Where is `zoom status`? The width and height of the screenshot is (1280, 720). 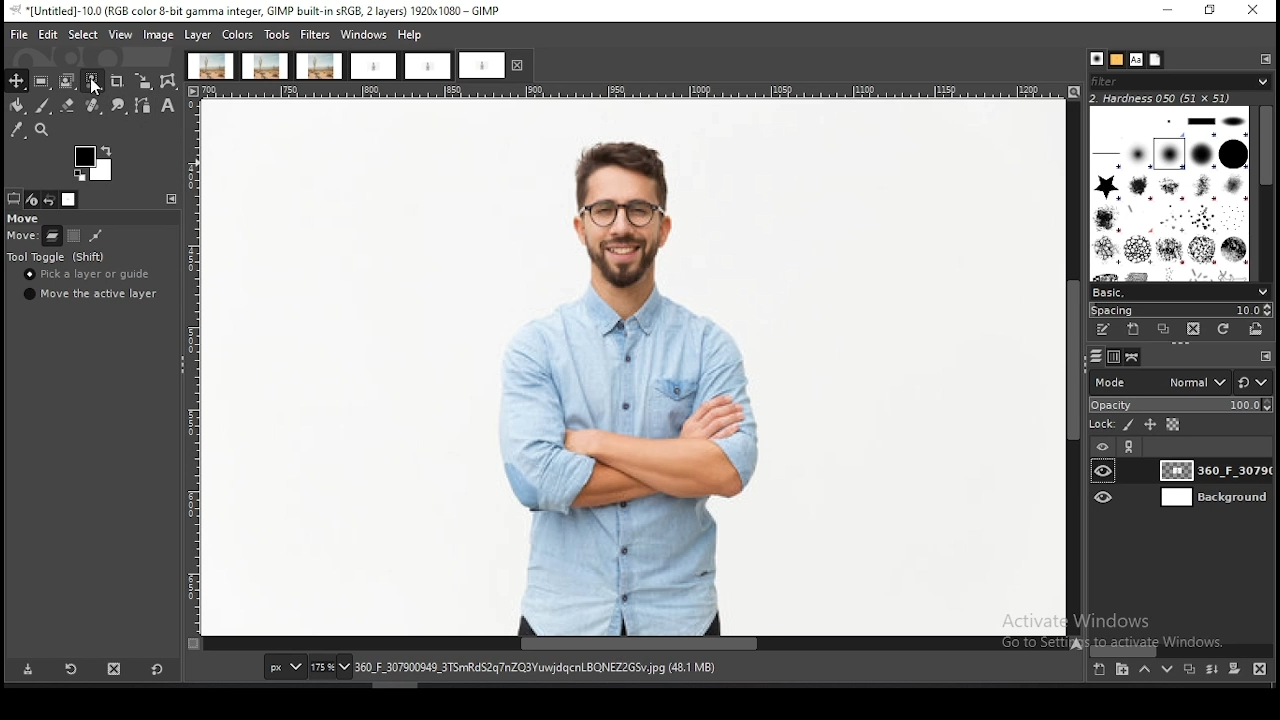
zoom status is located at coordinates (332, 668).